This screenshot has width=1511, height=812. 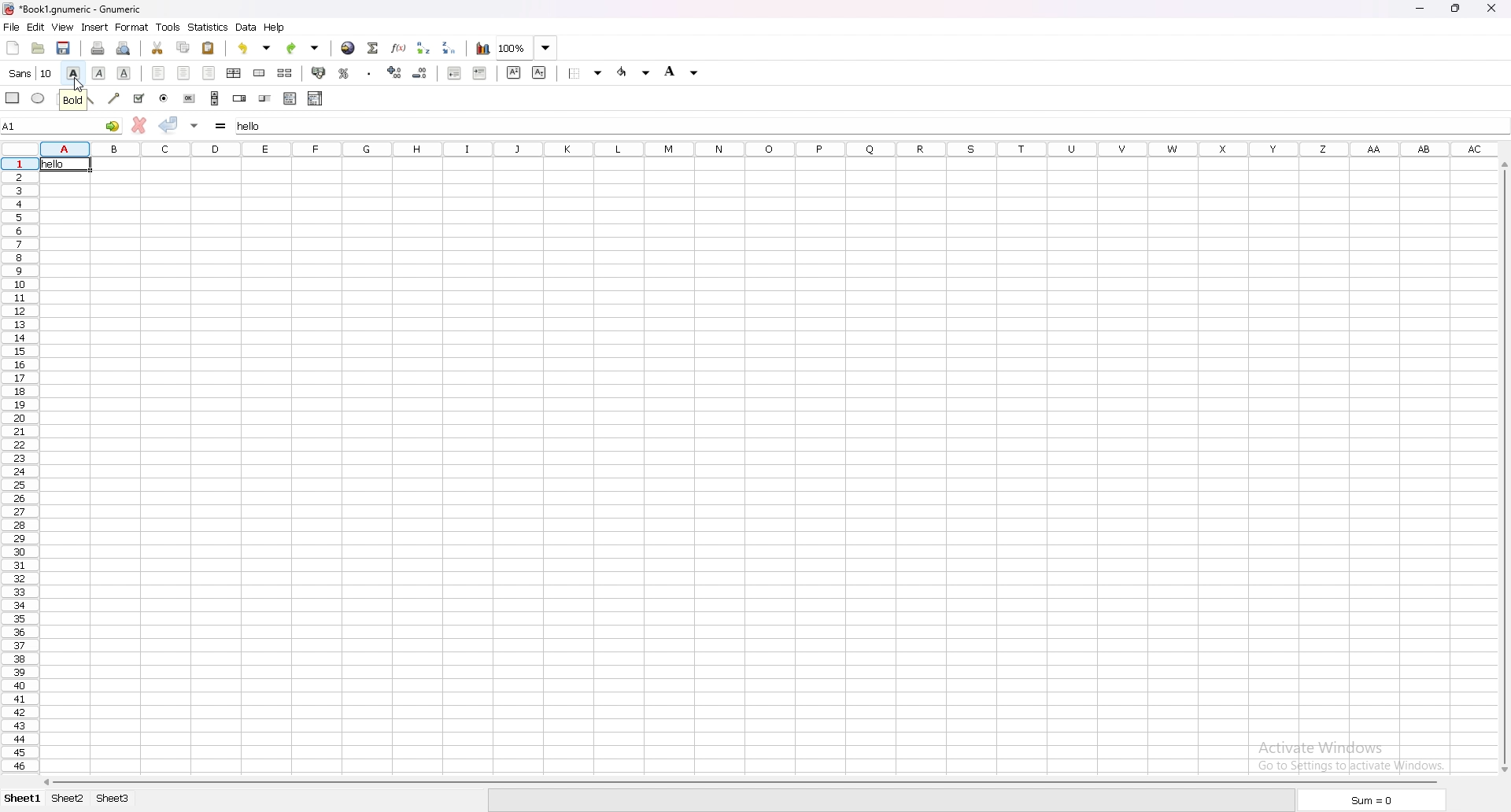 What do you see at coordinates (448, 48) in the screenshot?
I see `sort descending` at bounding box center [448, 48].